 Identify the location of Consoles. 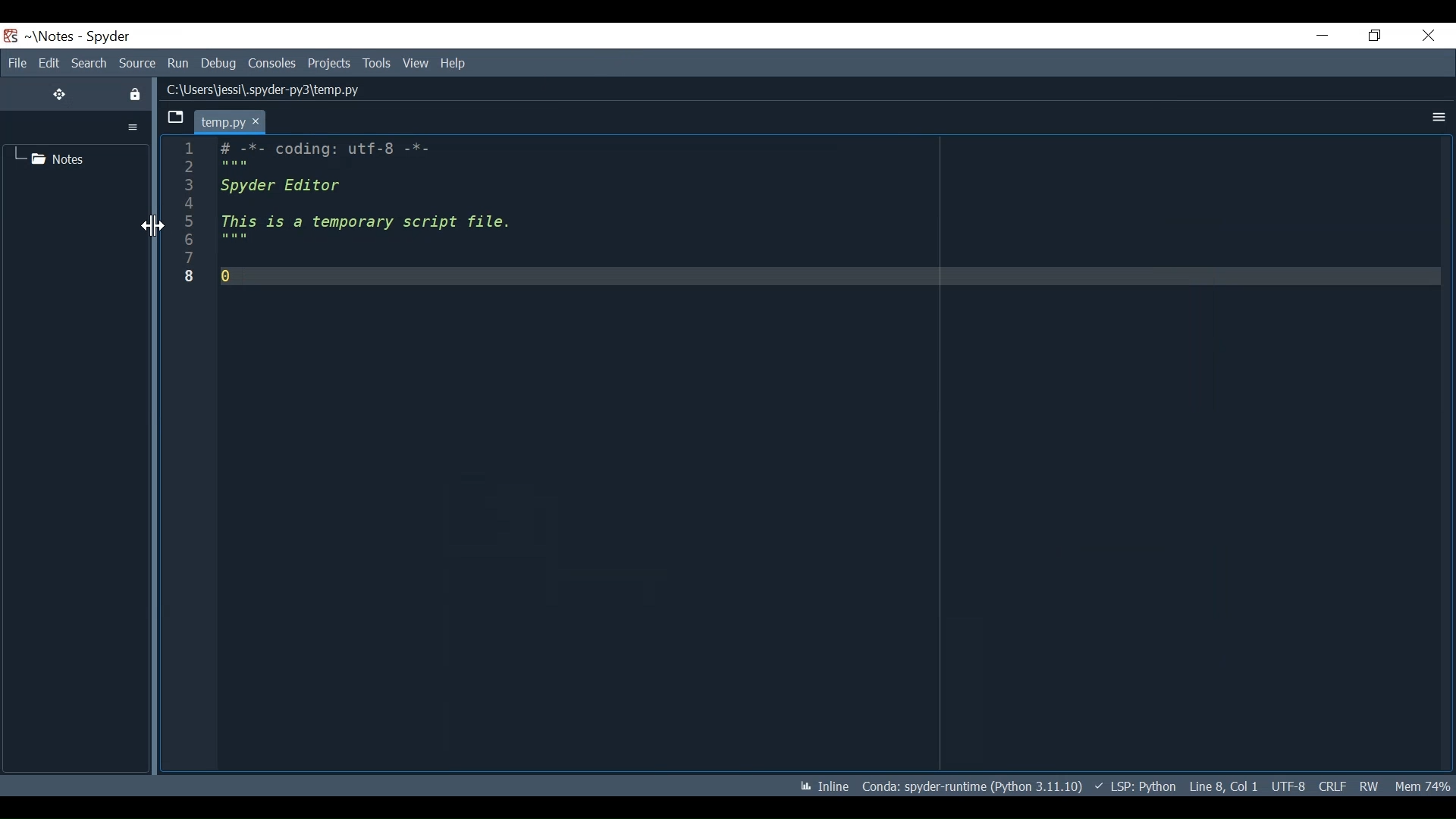
(272, 64).